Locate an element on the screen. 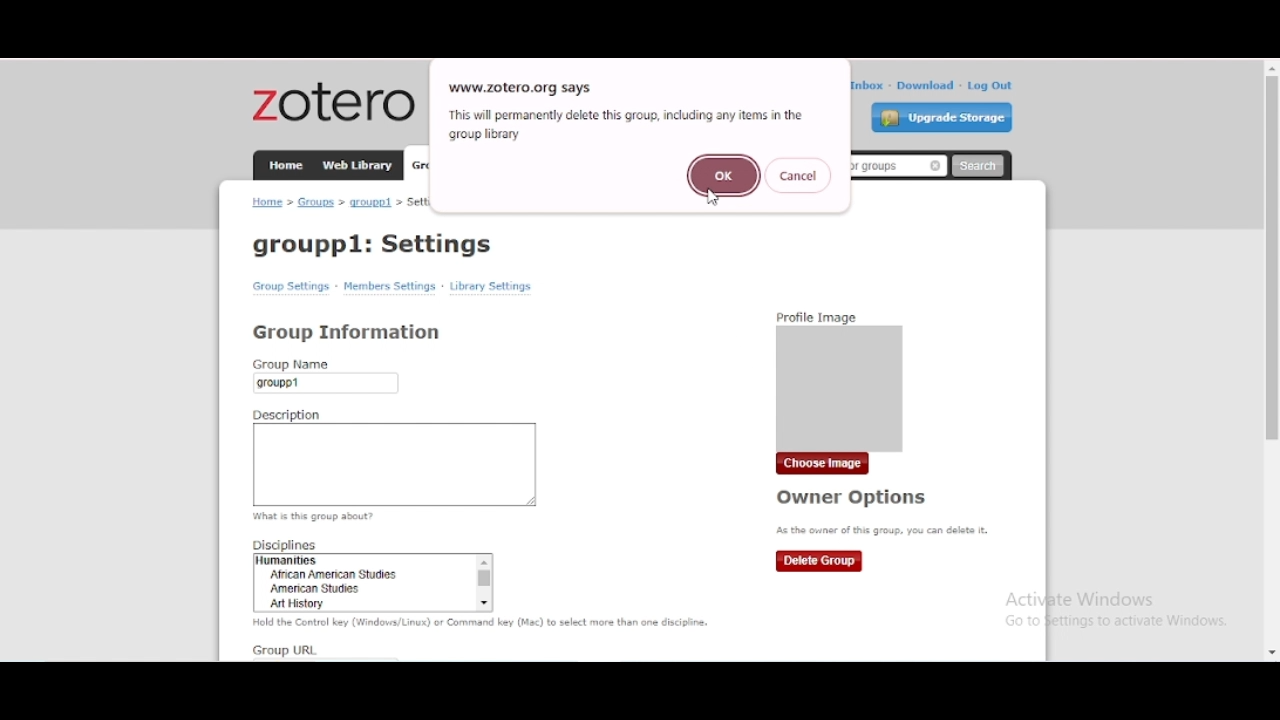 The height and width of the screenshot is (720, 1280). groupp1: settings is located at coordinates (374, 245).